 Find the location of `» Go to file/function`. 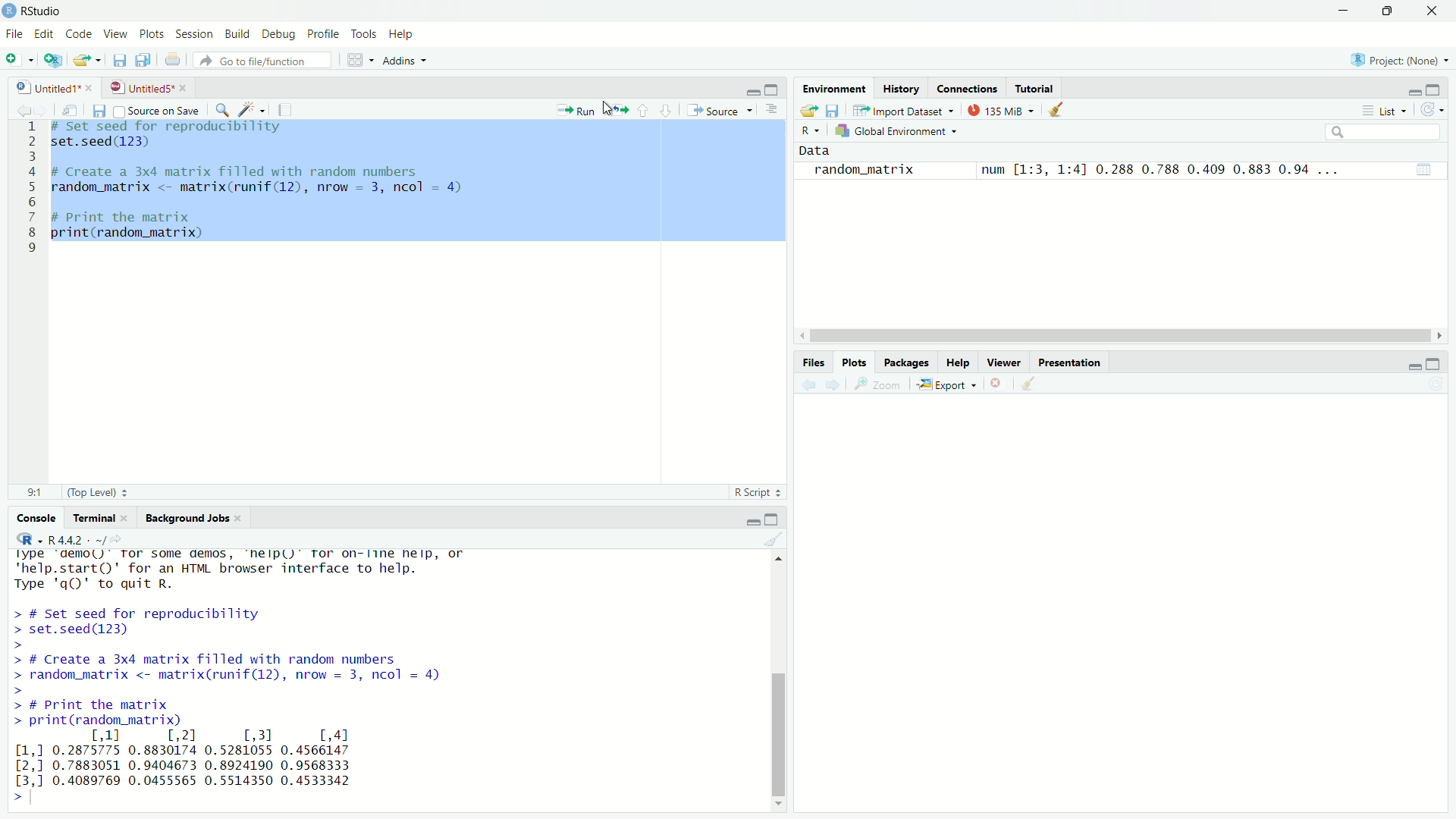

» Go to file/function is located at coordinates (255, 60).